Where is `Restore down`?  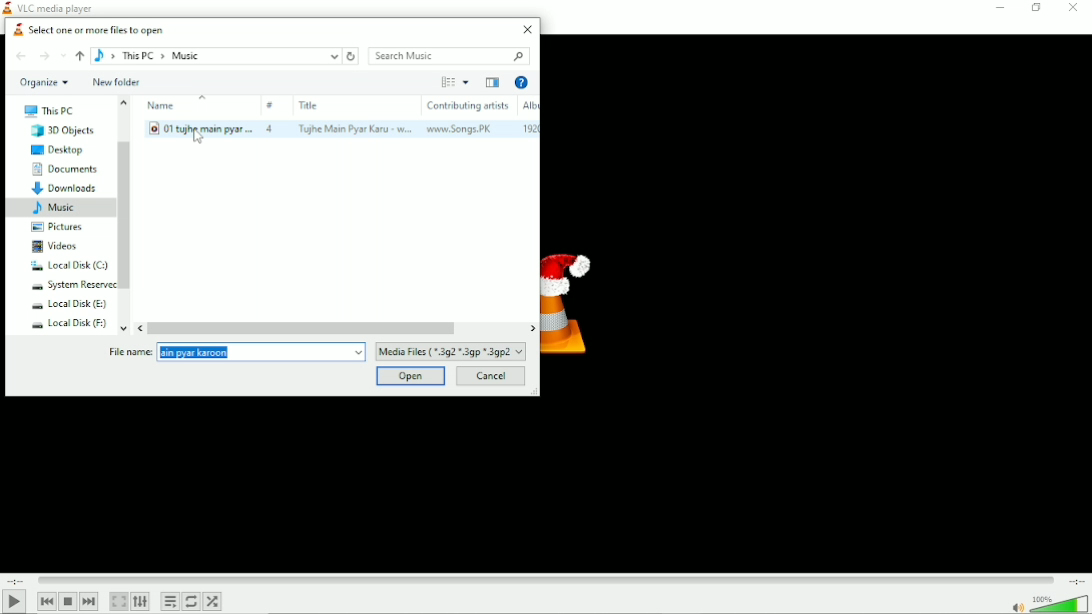 Restore down is located at coordinates (1035, 10).